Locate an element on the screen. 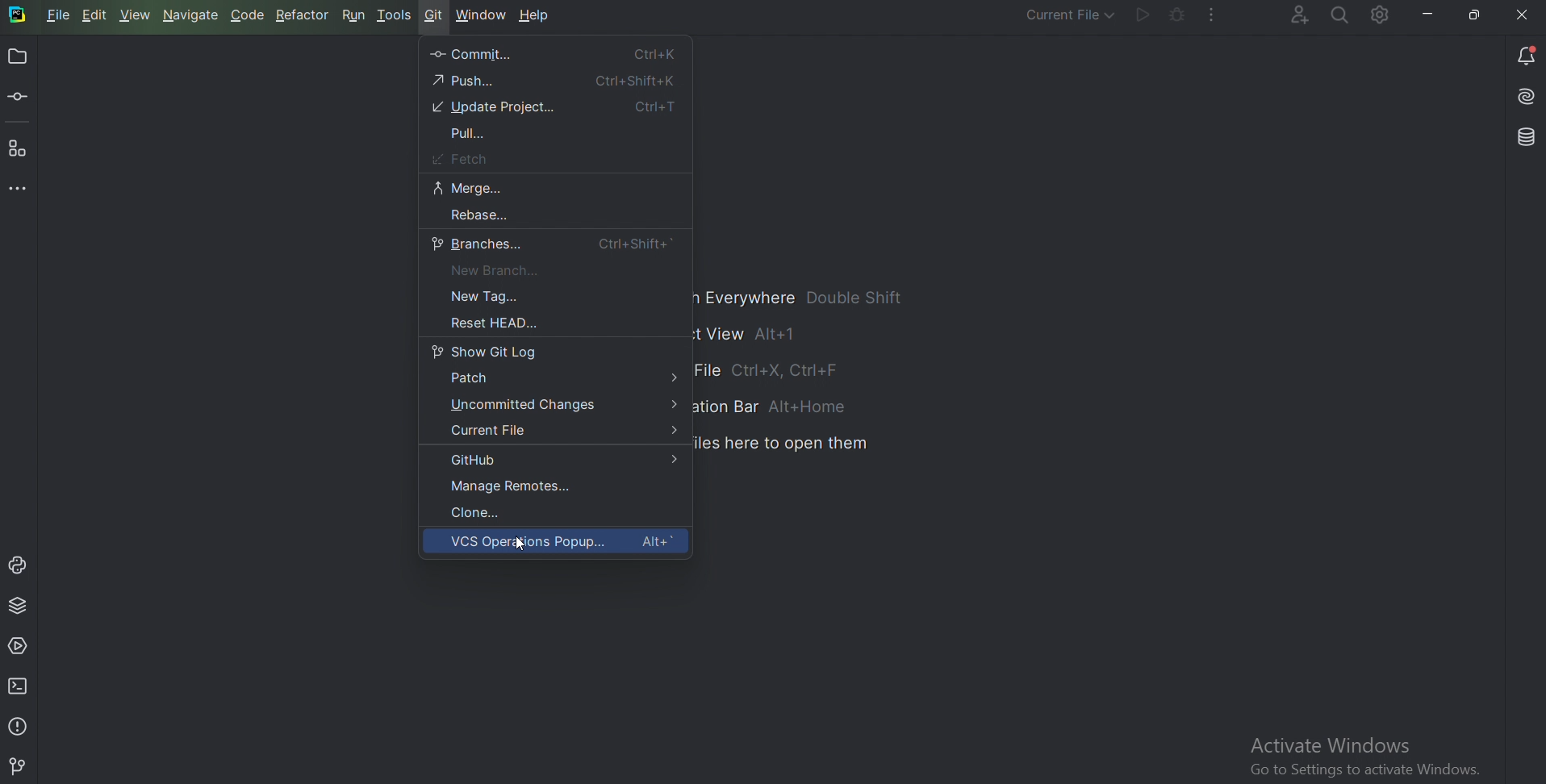  Code with me is located at coordinates (1290, 14).